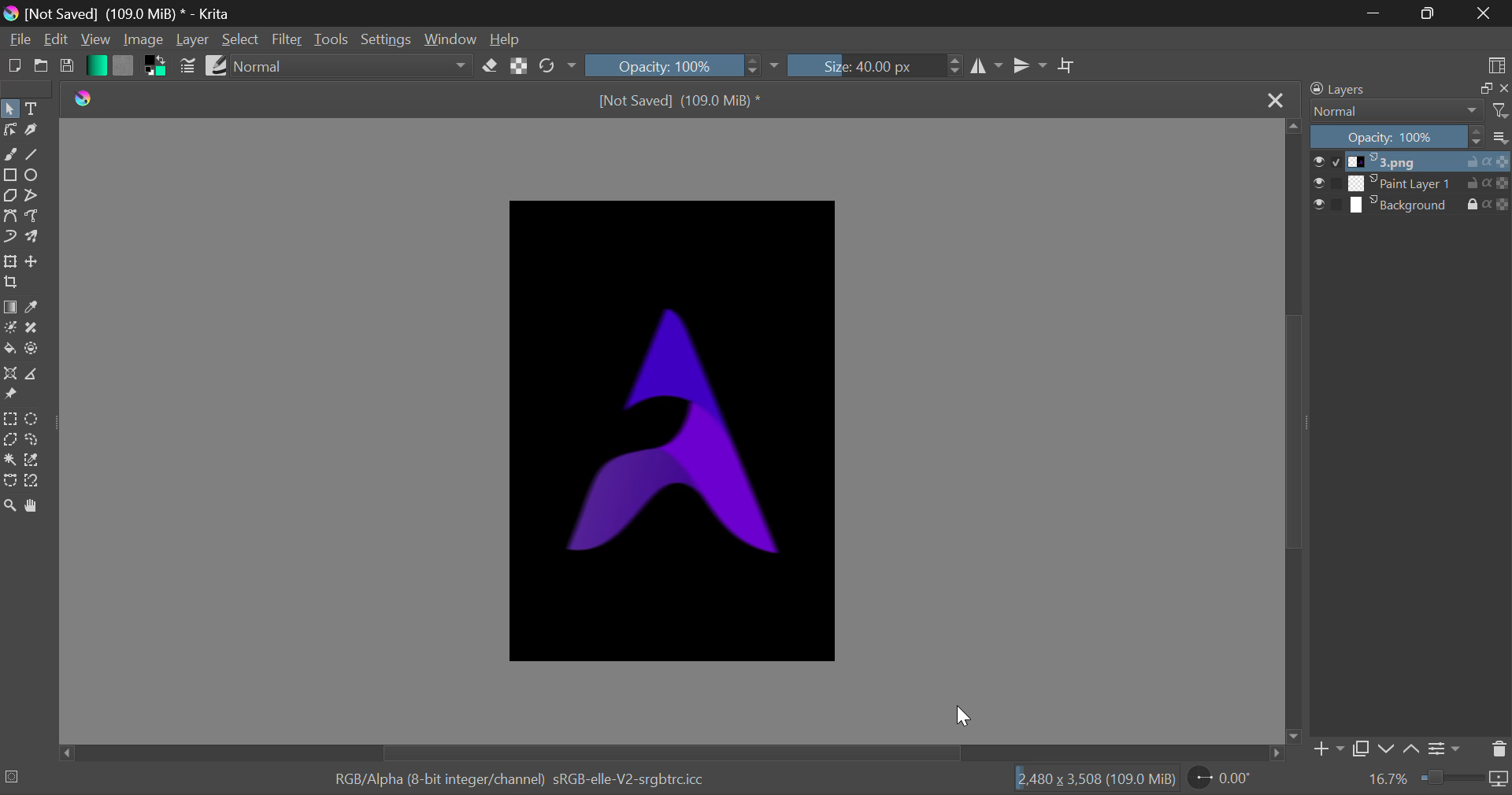  I want to click on Transform Layers, so click(10, 262).